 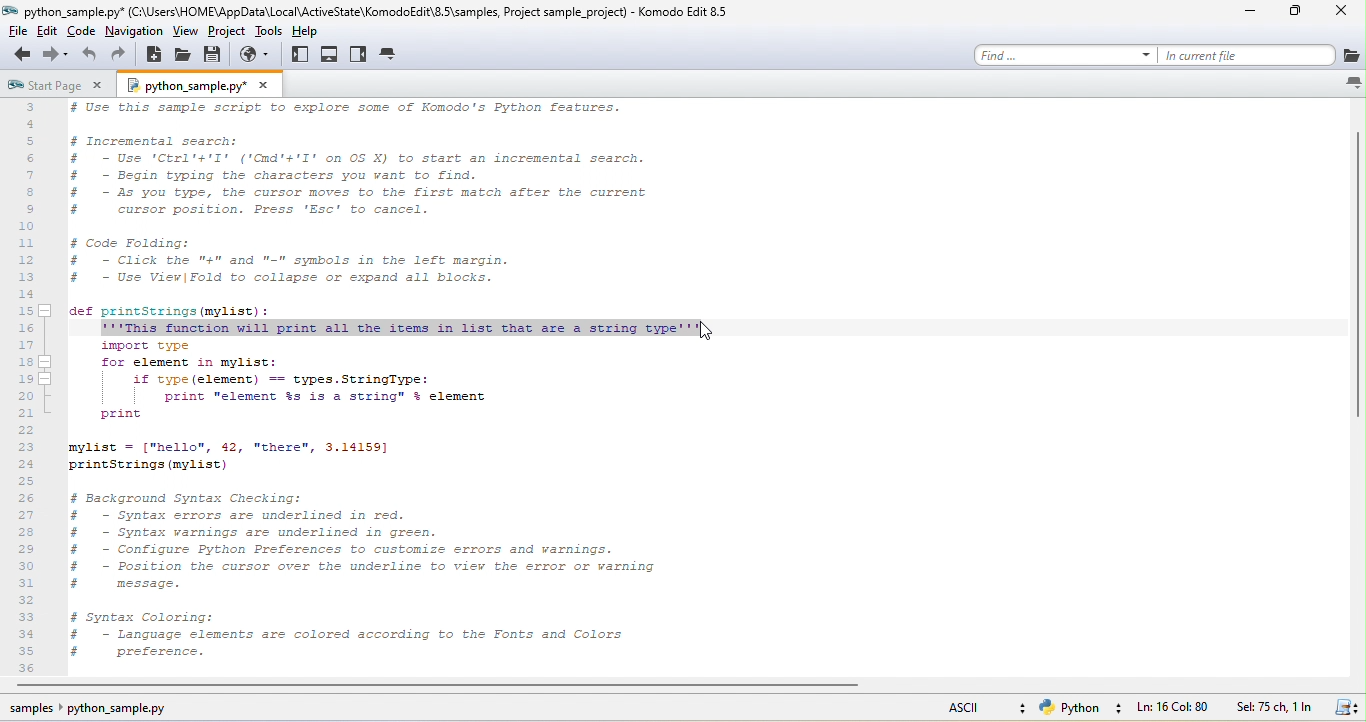 I want to click on close, so click(x=264, y=85).